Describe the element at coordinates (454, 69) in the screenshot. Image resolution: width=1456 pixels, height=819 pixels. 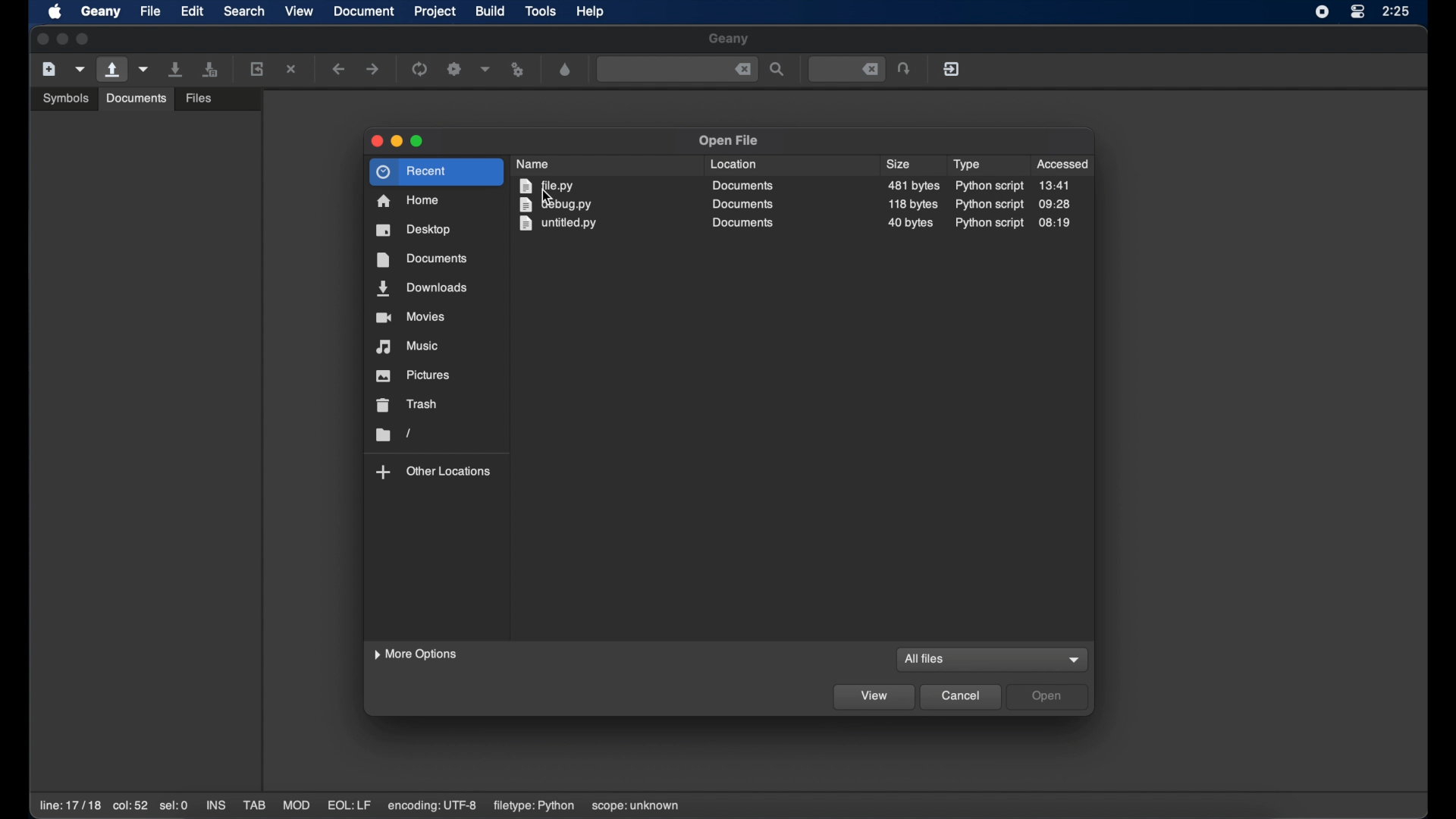
I see `build the current file` at that location.